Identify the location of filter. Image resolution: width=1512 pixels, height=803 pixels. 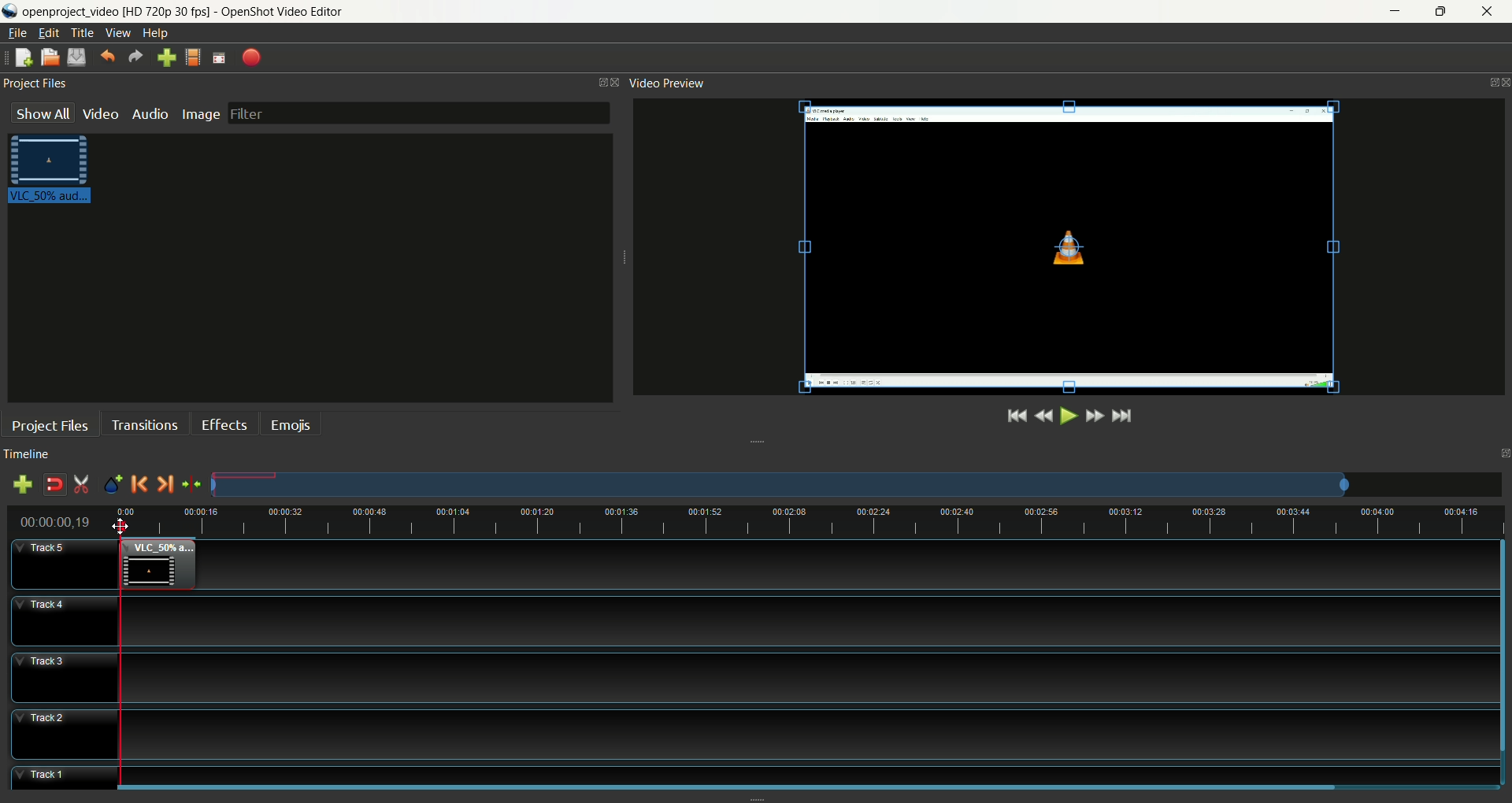
(418, 113).